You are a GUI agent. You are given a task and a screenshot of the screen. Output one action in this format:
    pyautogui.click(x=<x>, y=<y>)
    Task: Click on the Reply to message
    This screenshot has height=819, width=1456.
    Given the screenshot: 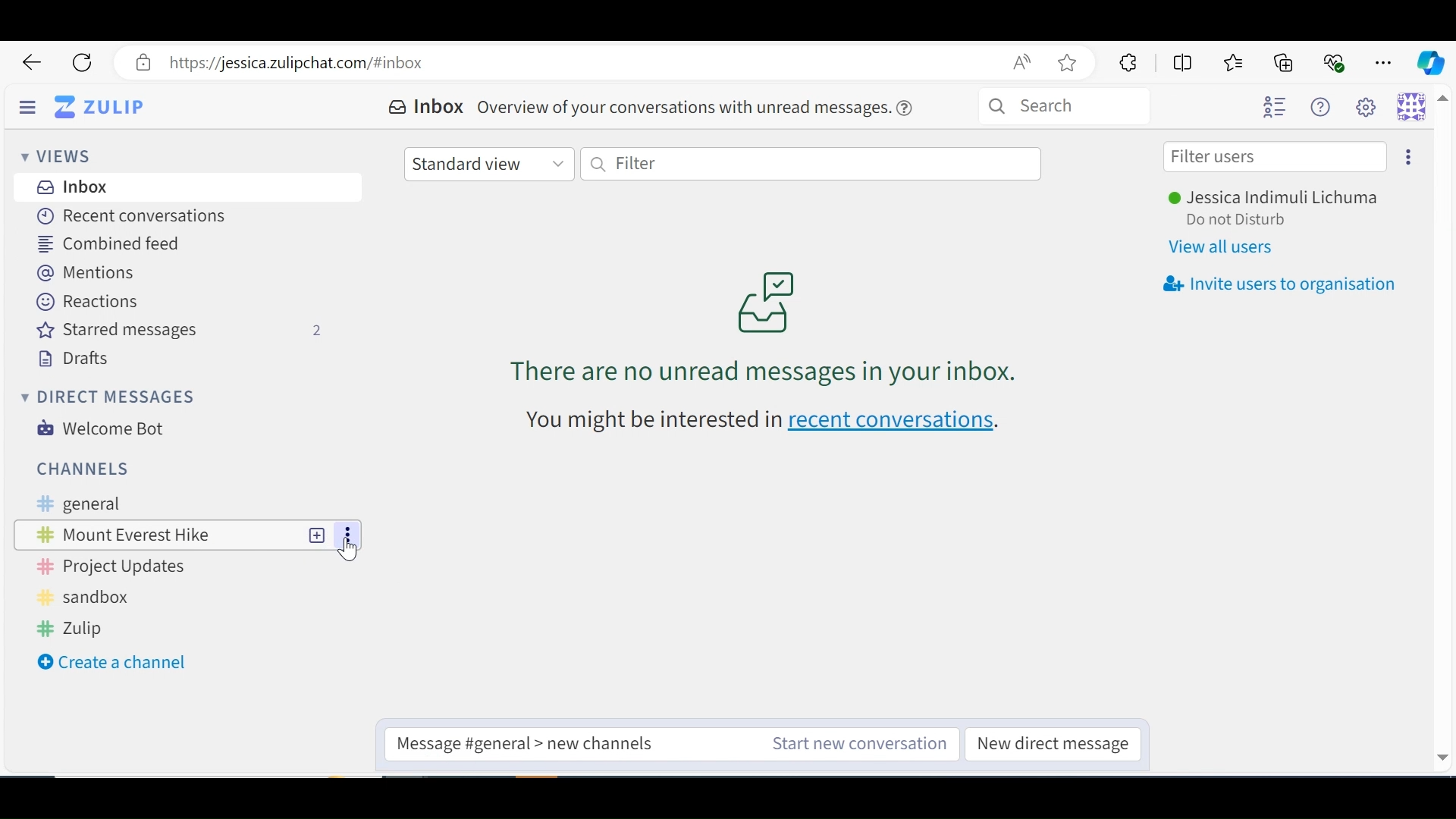 What is the action you would take?
    pyautogui.click(x=529, y=742)
    